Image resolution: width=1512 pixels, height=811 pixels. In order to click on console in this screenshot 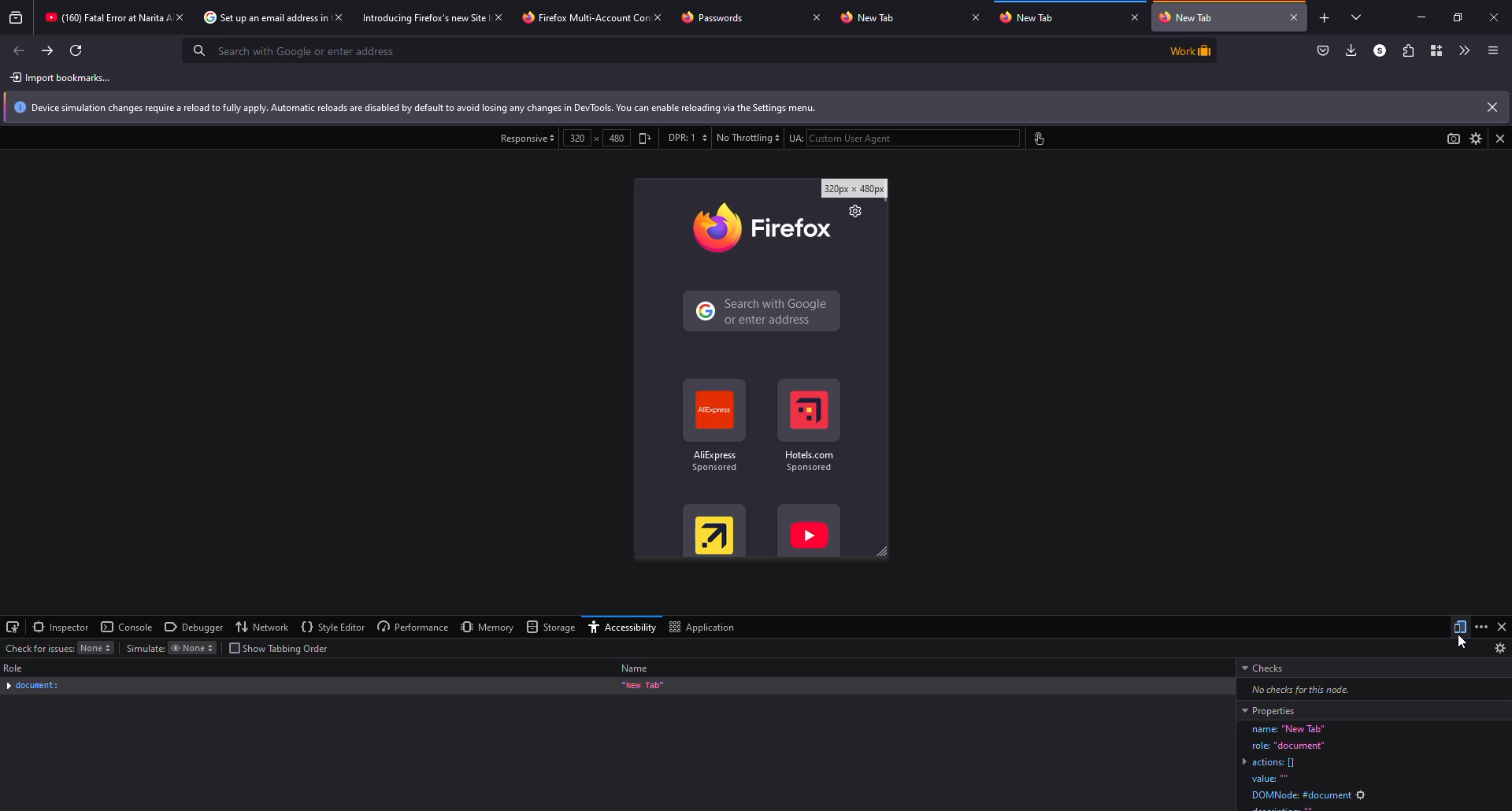, I will do `click(128, 627)`.